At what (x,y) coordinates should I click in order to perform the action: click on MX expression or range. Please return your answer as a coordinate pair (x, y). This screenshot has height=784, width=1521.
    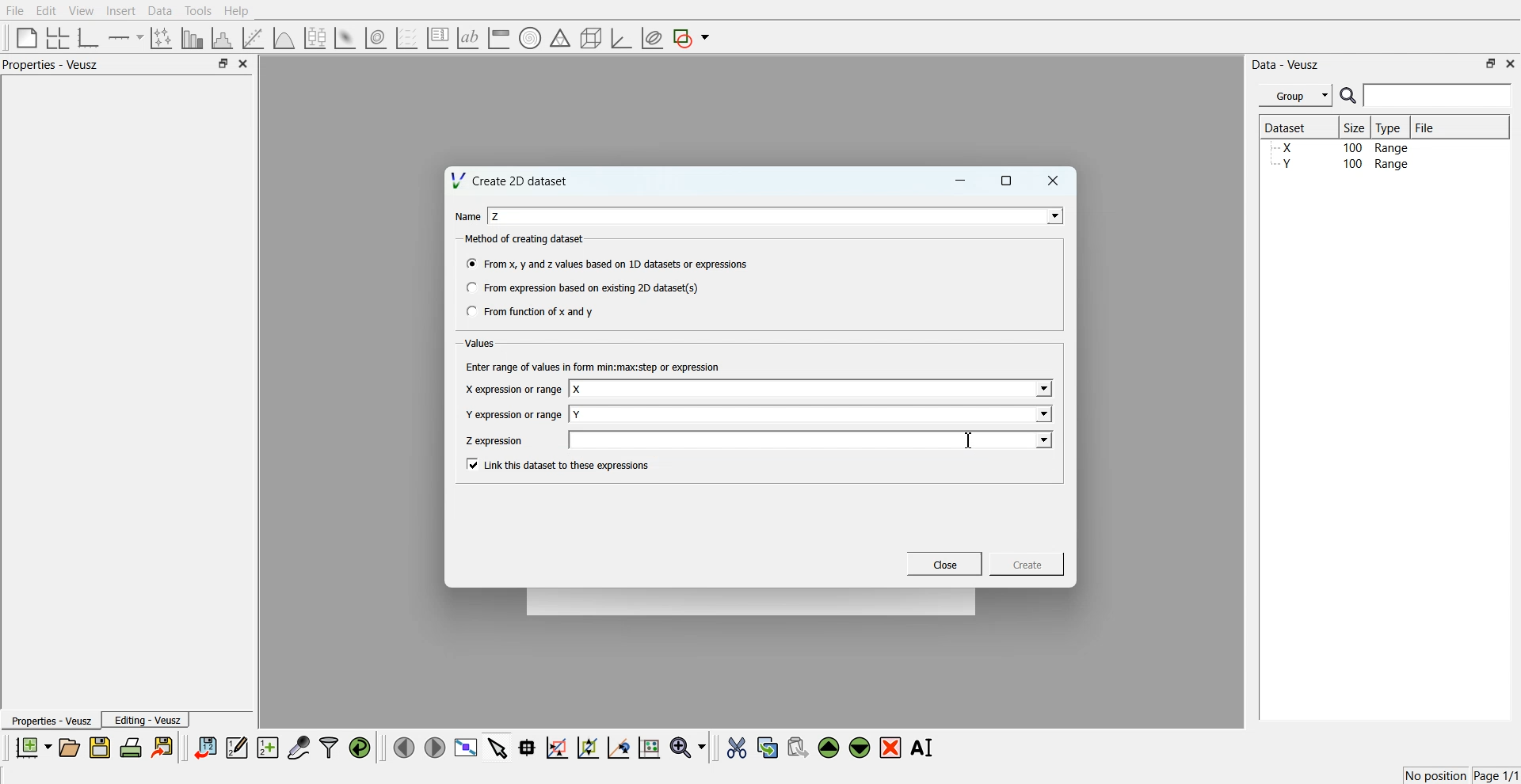
    Looking at the image, I should click on (513, 389).